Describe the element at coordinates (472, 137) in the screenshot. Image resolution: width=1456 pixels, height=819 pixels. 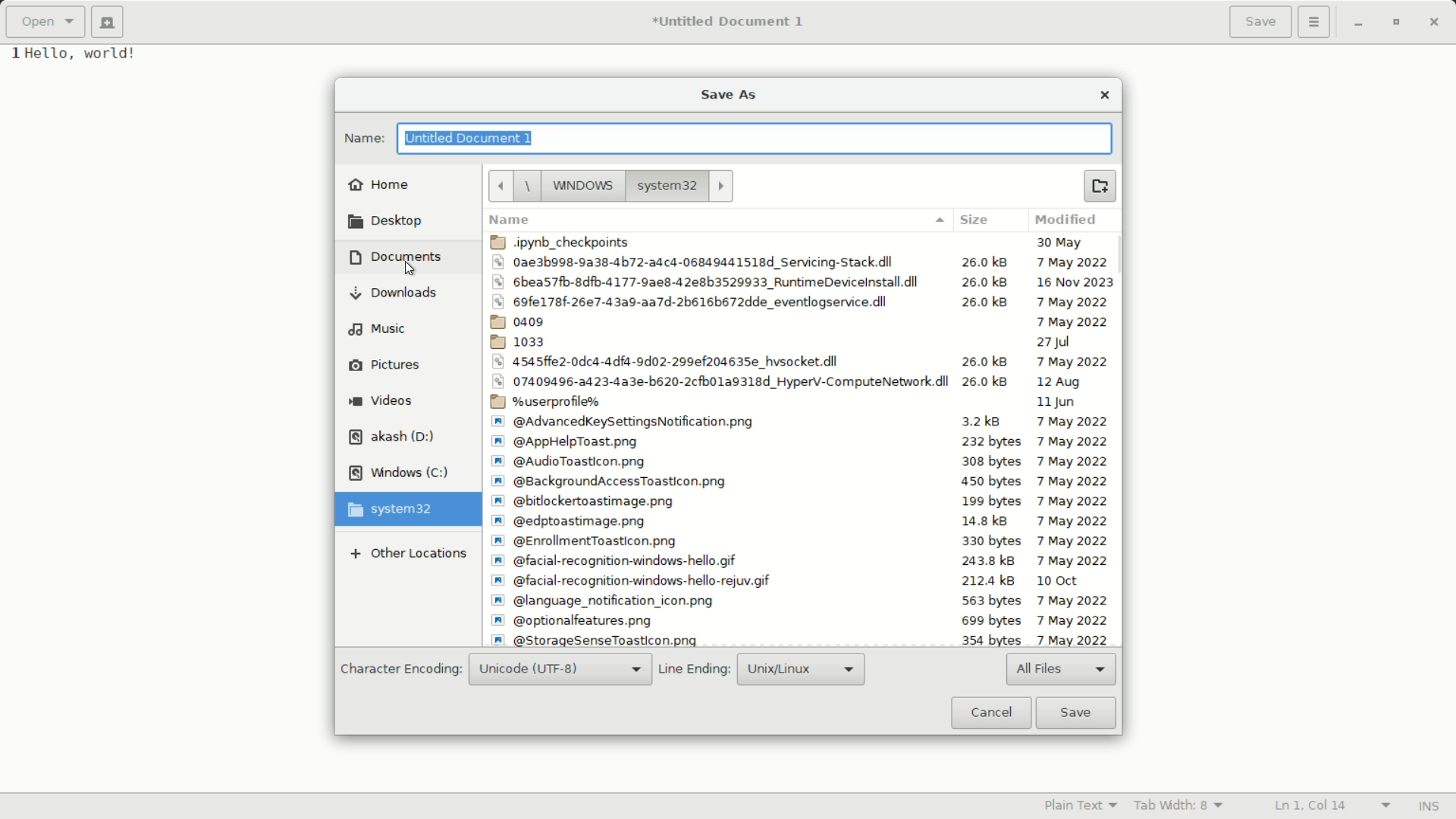
I see `untitled document 1` at that location.